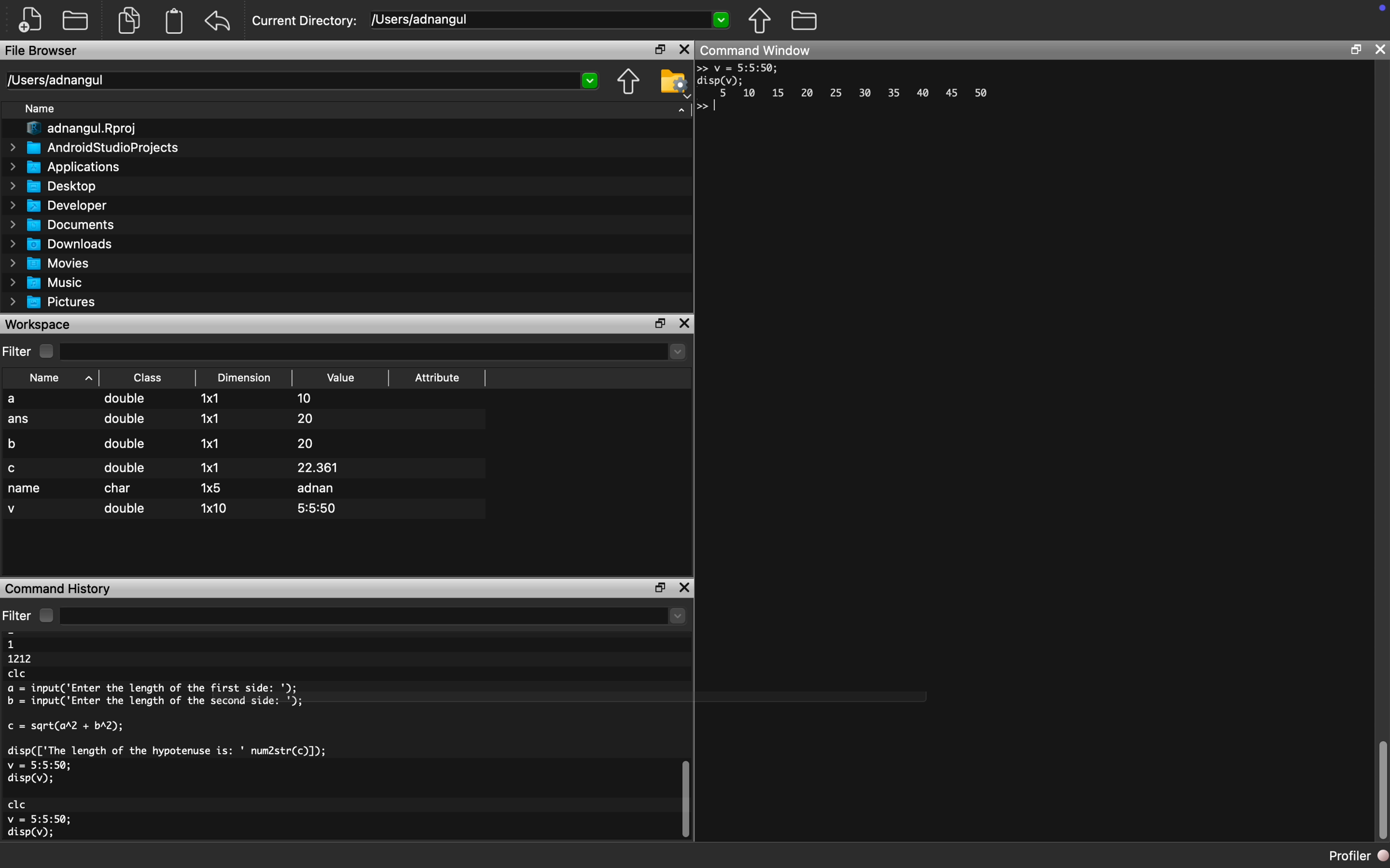 This screenshot has width=1390, height=868. What do you see at coordinates (59, 379) in the screenshot?
I see `Name` at bounding box center [59, 379].